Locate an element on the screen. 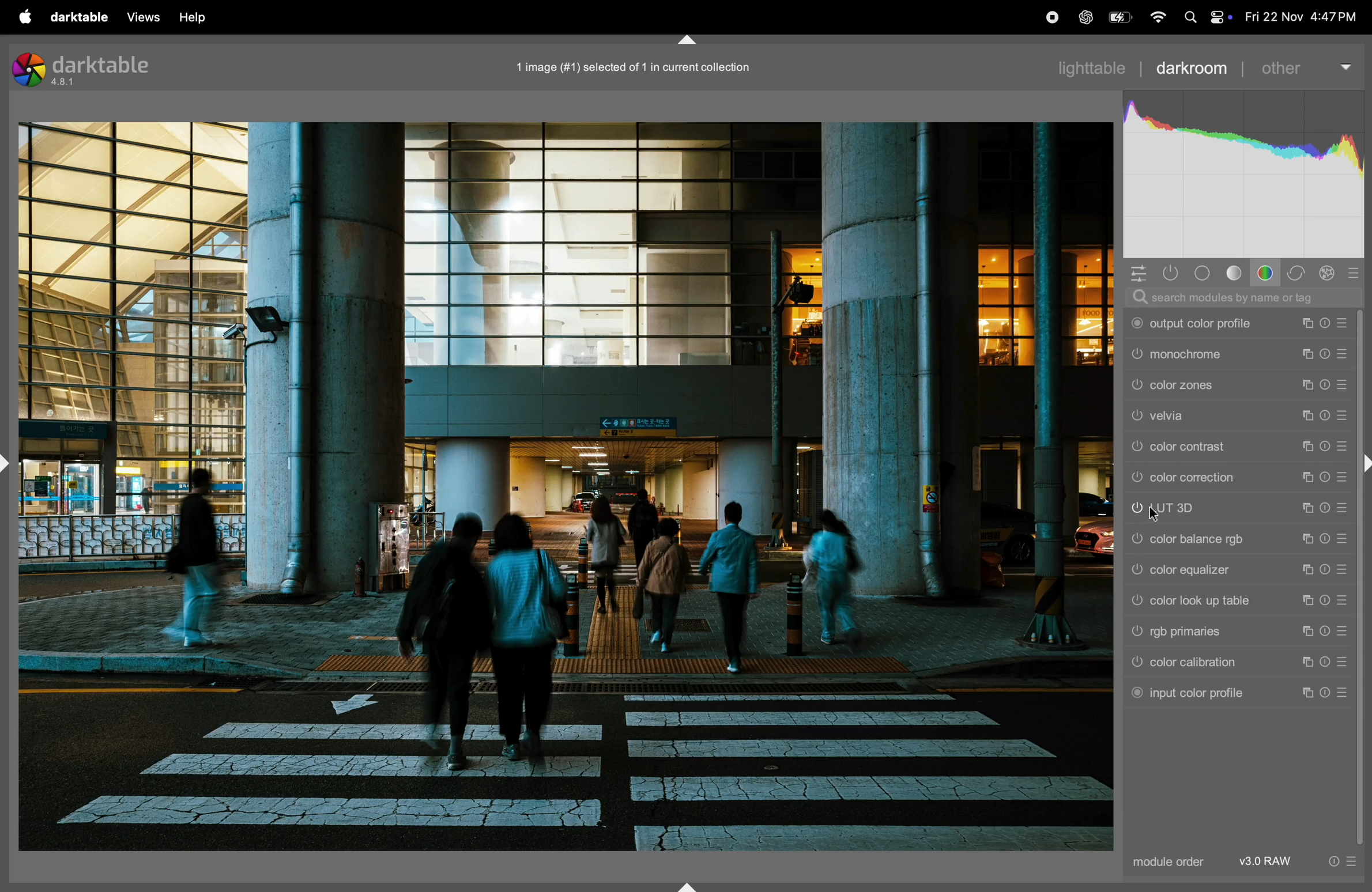 This screenshot has width=1372, height=892. darktable is located at coordinates (80, 16).